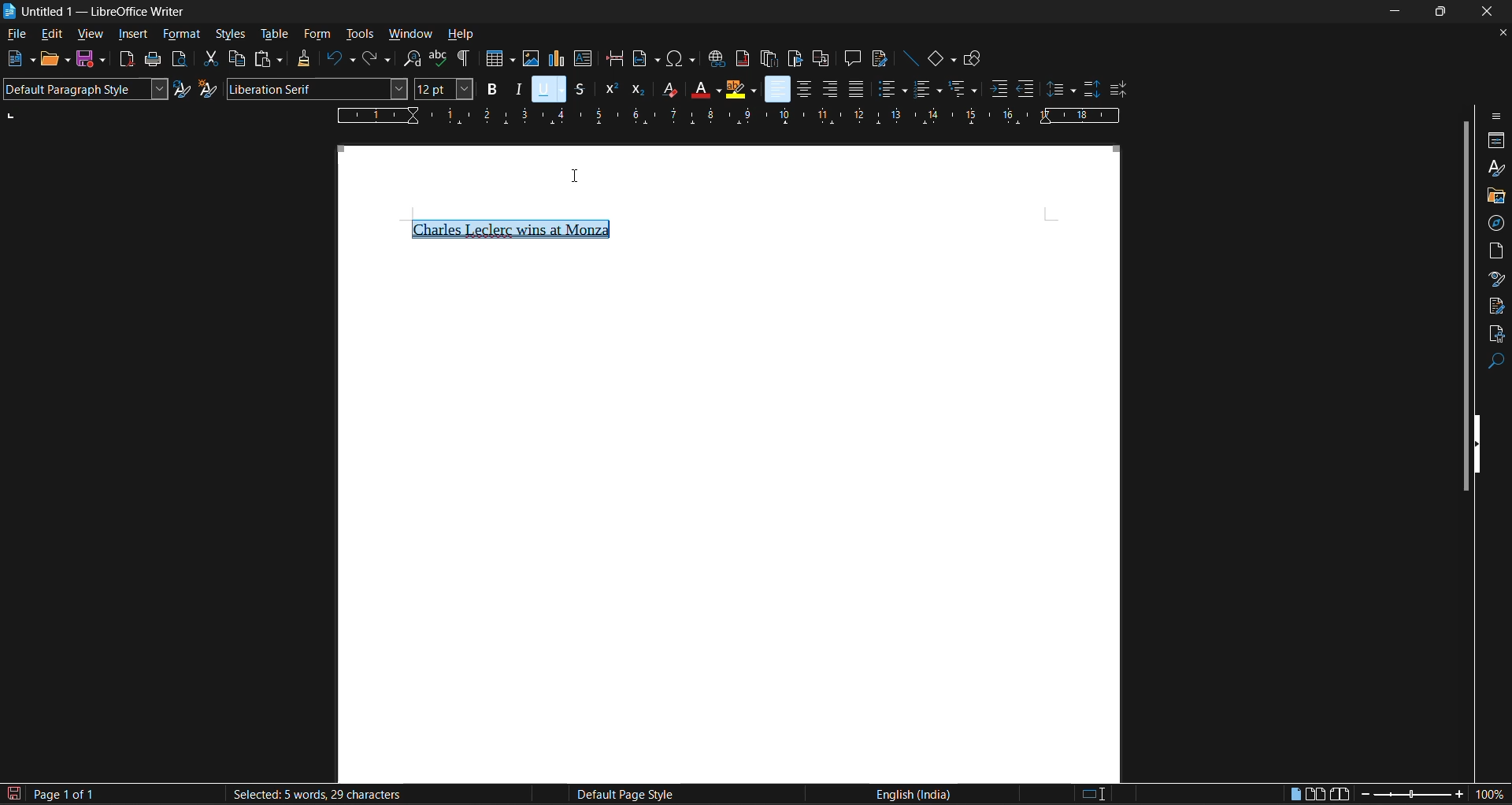  What do you see at coordinates (610, 90) in the screenshot?
I see `superscipt` at bounding box center [610, 90].